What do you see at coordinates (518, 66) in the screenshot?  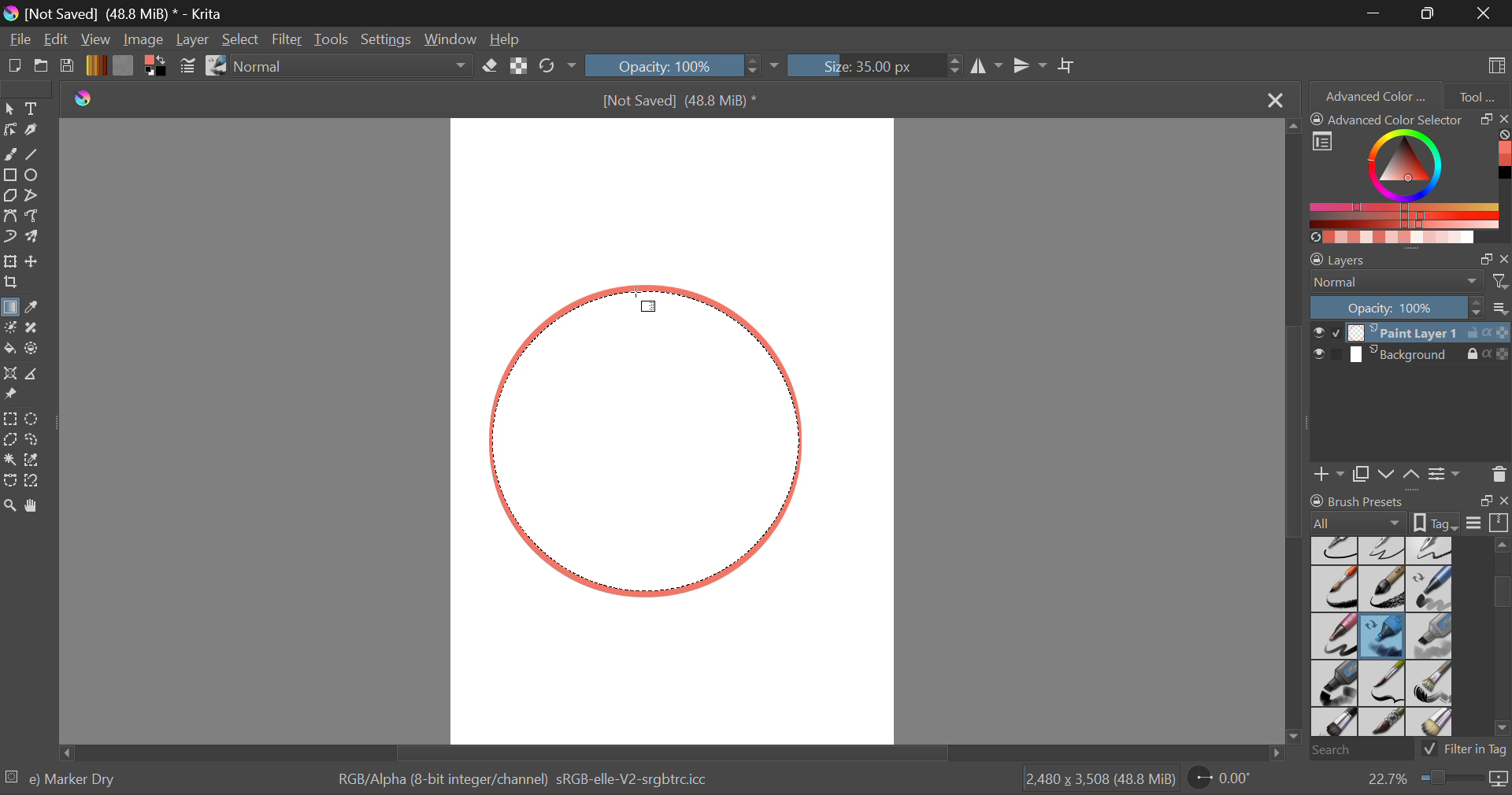 I see `Preserve Alpha` at bounding box center [518, 66].